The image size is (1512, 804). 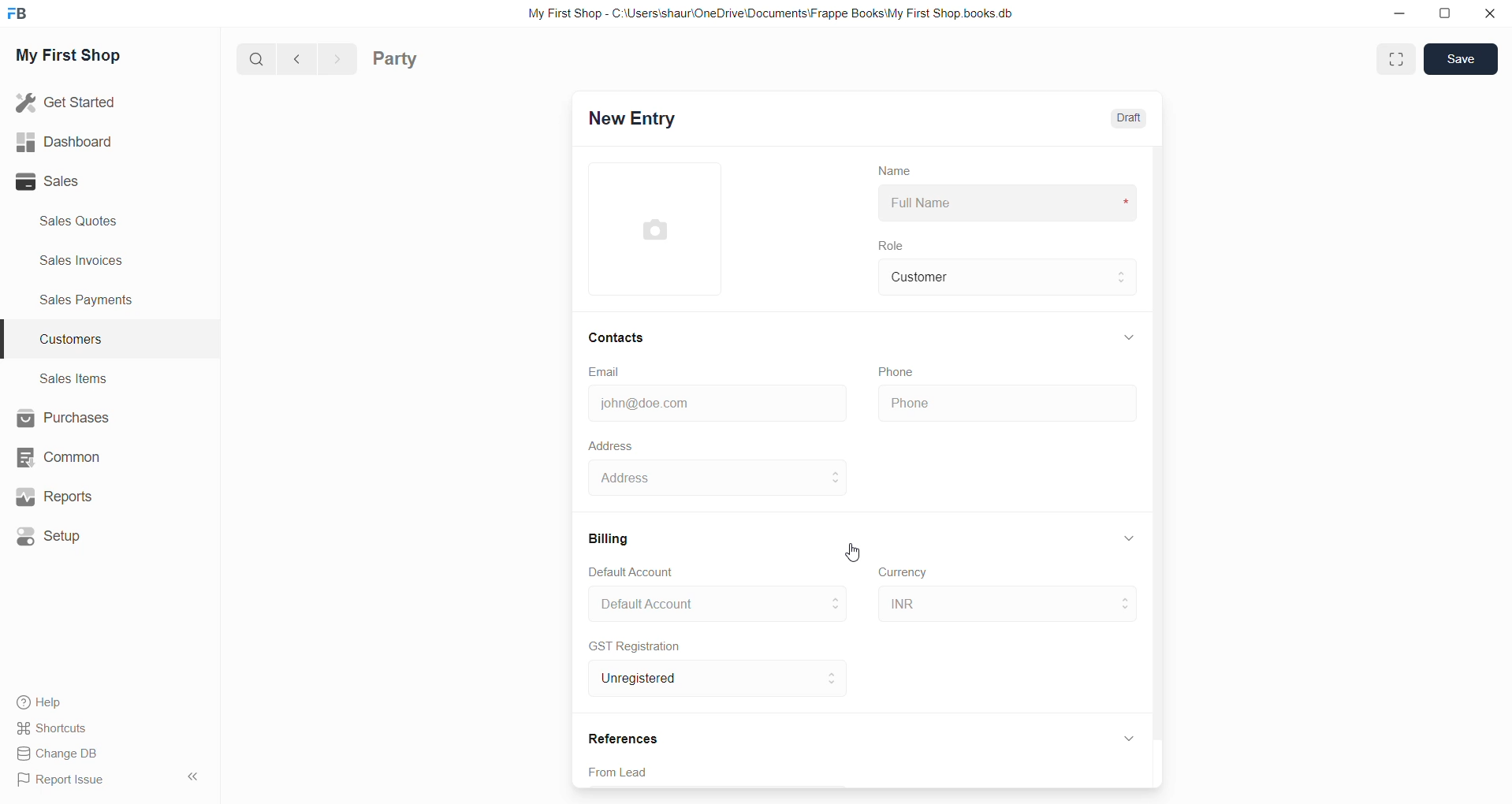 What do you see at coordinates (636, 646) in the screenshot?
I see `GST Registration` at bounding box center [636, 646].